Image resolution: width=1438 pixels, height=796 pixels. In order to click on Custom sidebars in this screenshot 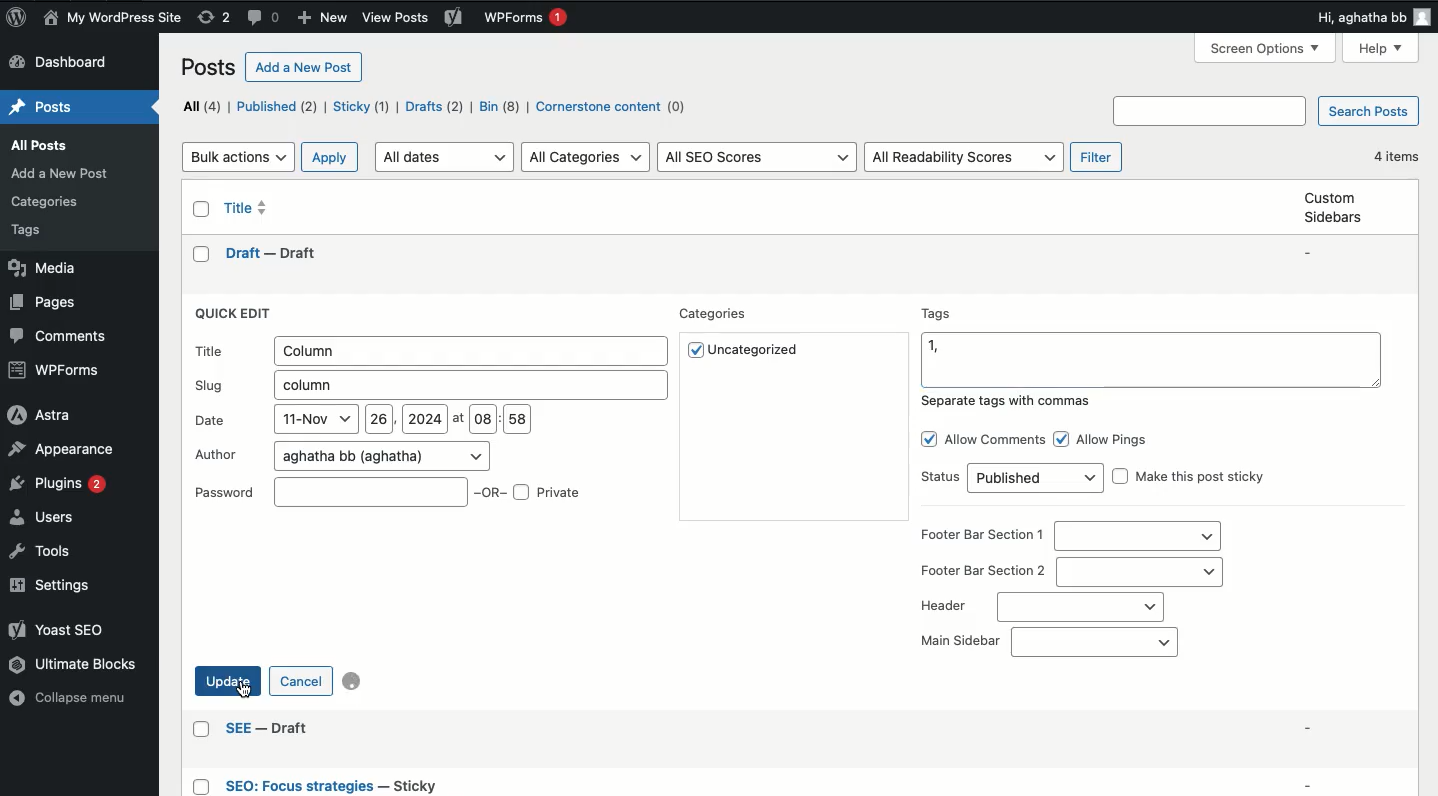, I will do `click(1331, 214)`.